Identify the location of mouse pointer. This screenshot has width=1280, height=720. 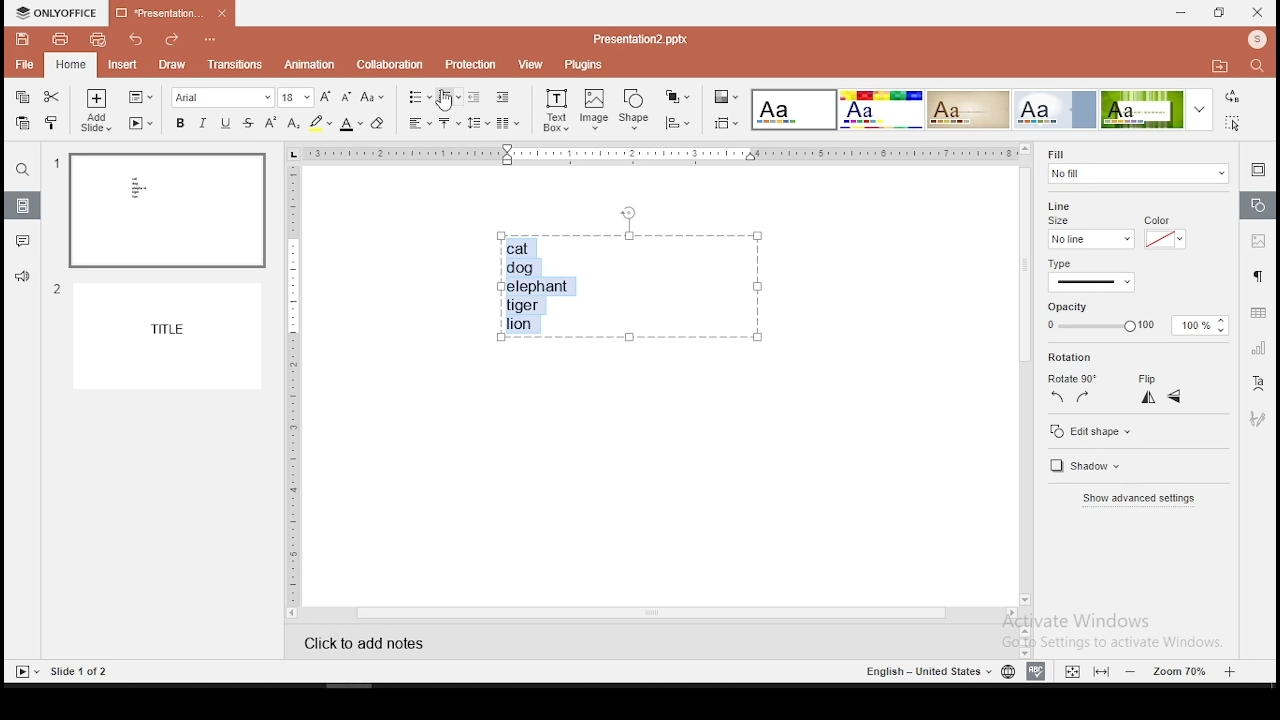
(450, 97).